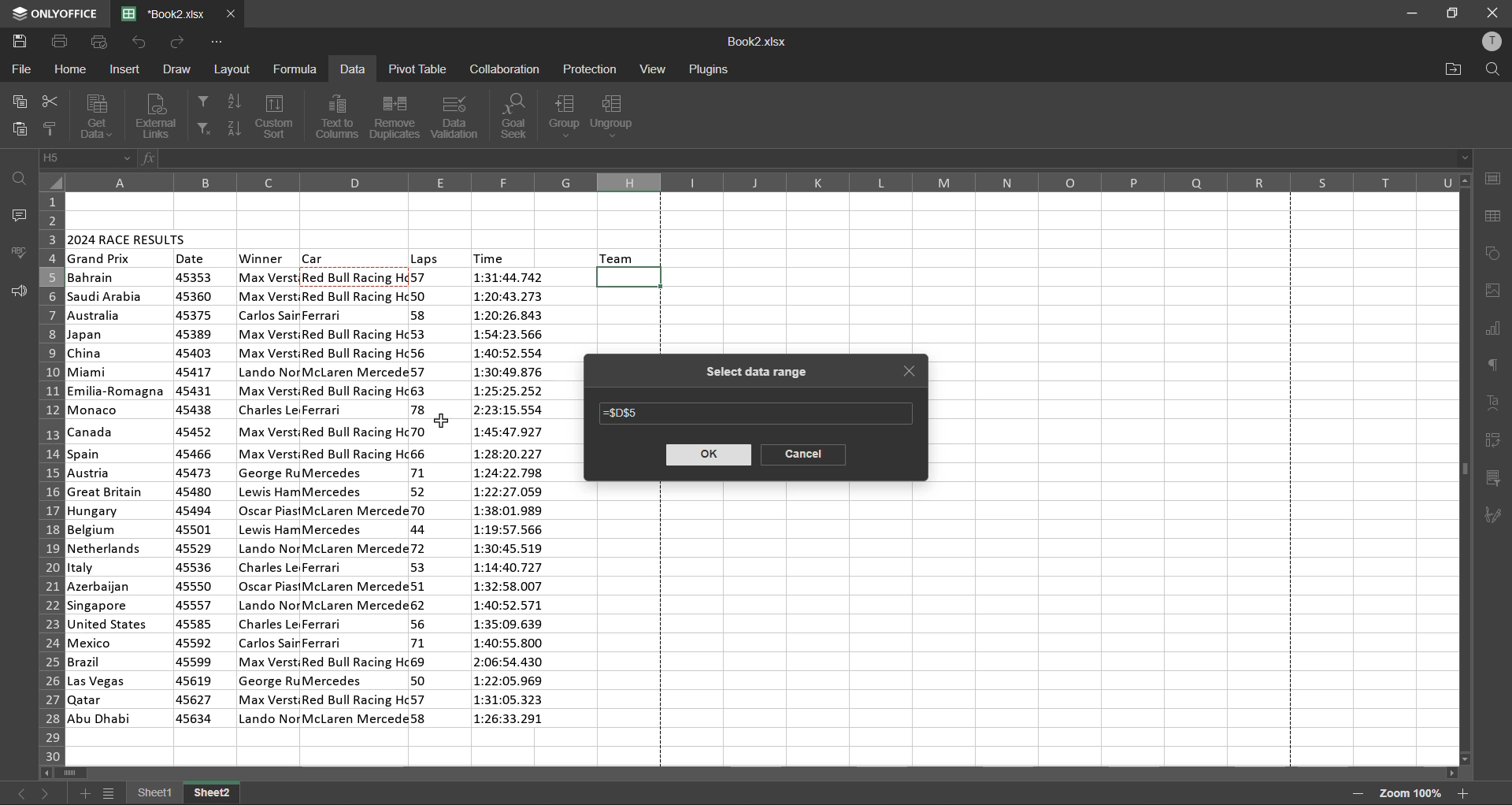  Describe the element at coordinates (71, 71) in the screenshot. I see `home` at that location.